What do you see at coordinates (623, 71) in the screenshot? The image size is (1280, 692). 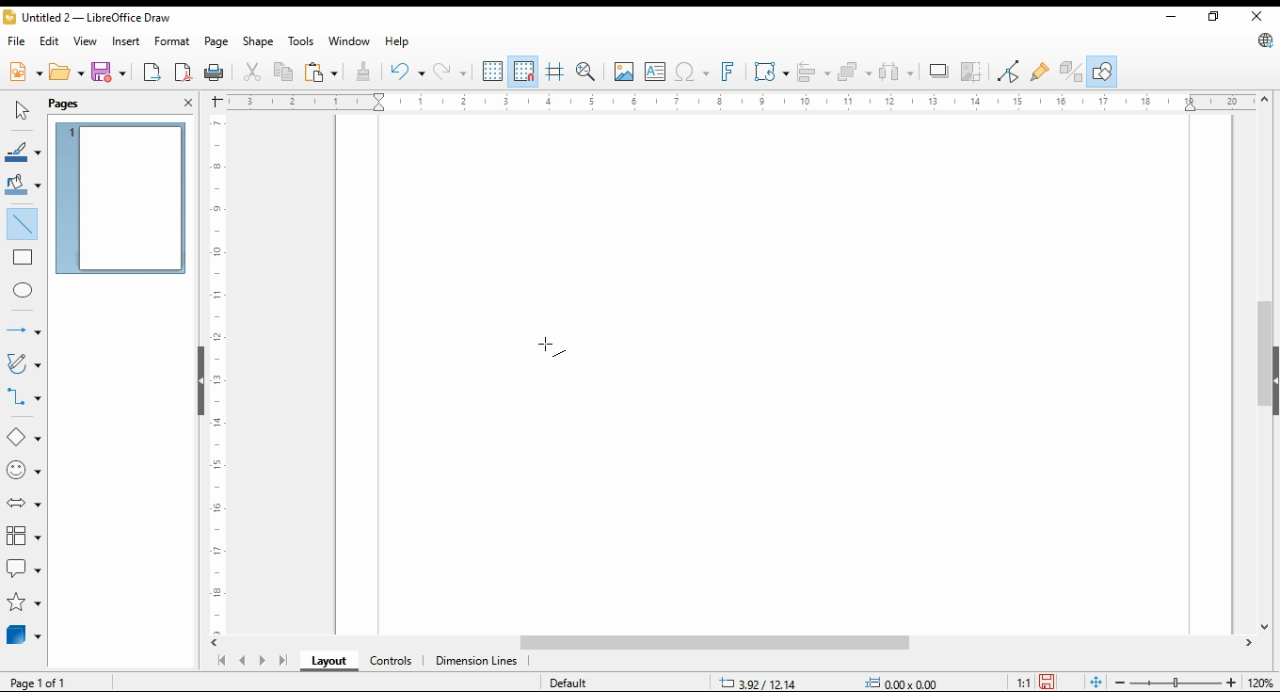 I see `insert image` at bounding box center [623, 71].